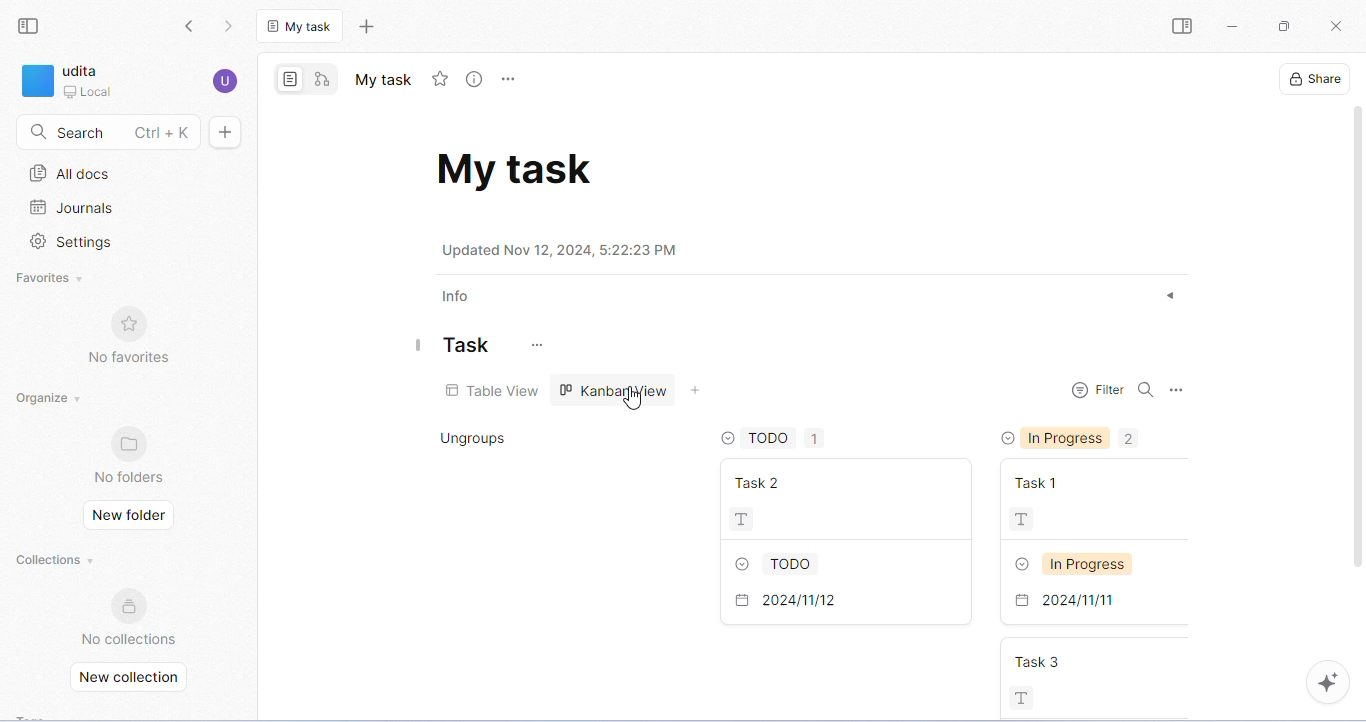  Describe the element at coordinates (301, 25) in the screenshot. I see `tab` at that location.